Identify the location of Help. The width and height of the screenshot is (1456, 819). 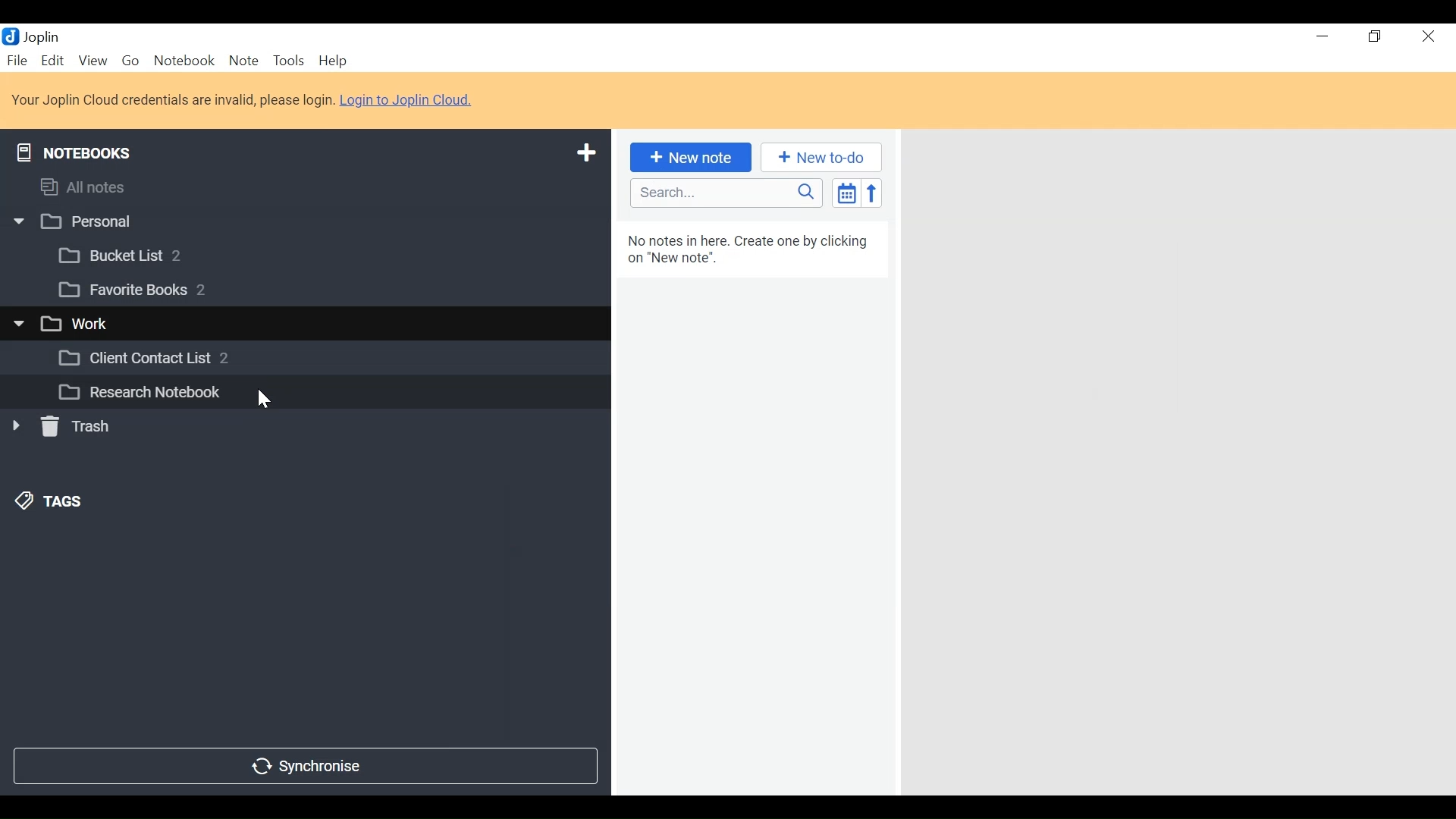
(335, 61).